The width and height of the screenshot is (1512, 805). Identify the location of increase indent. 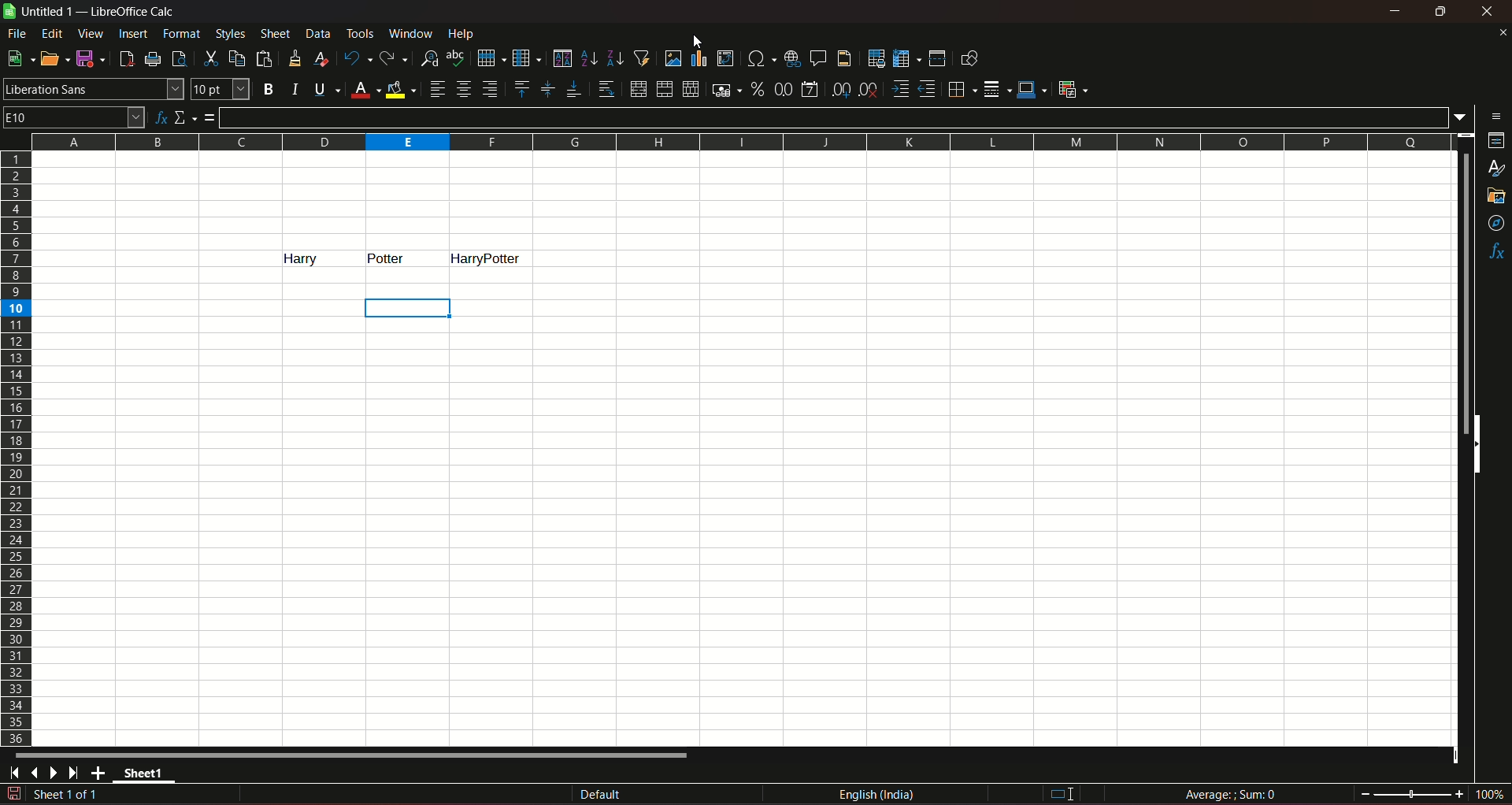
(899, 89).